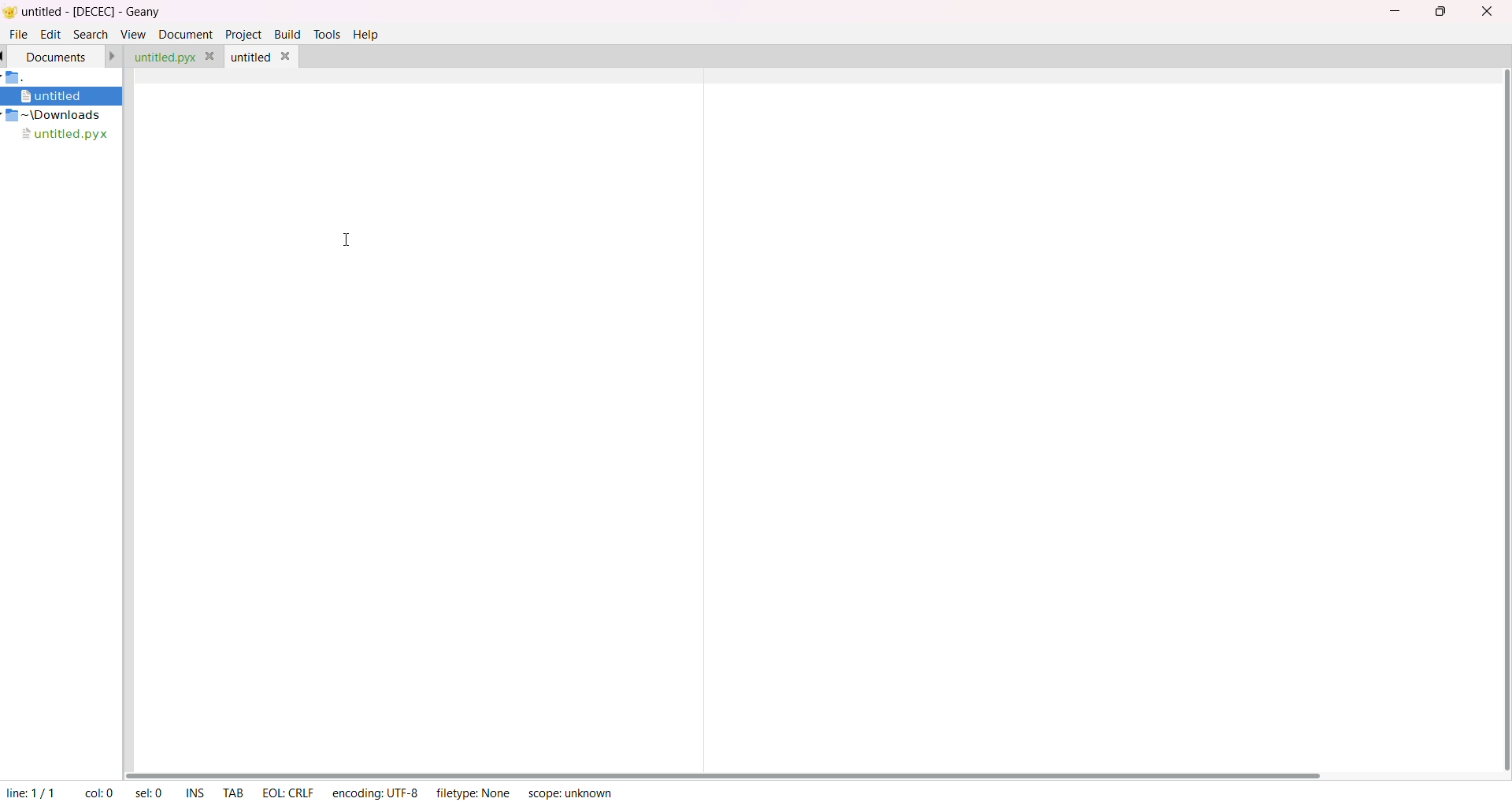 The height and width of the screenshot is (802, 1512). What do you see at coordinates (91, 34) in the screenshot?
I see `search` at bounding box center [91, 34].